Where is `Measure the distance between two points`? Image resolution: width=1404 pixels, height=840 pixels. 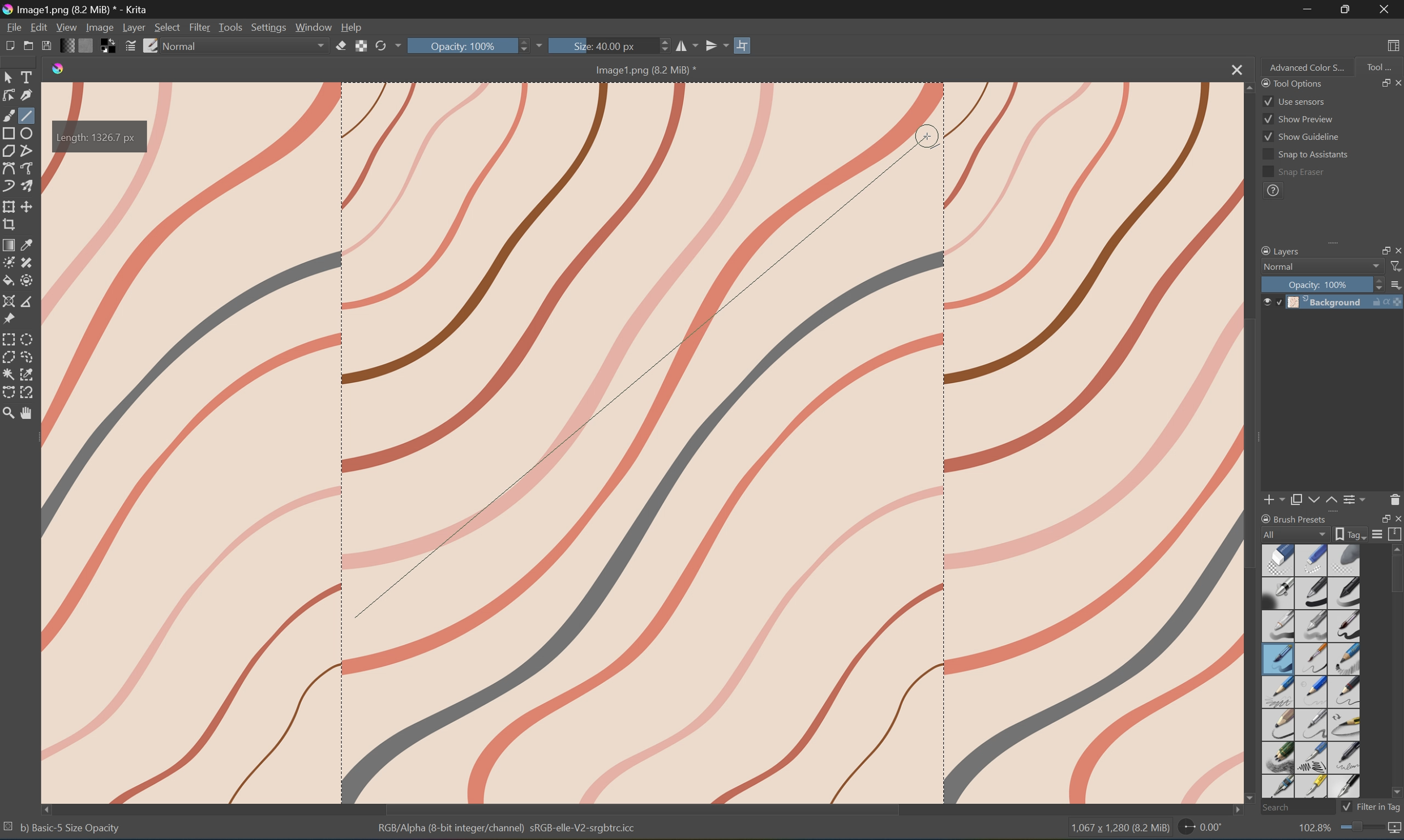
Measure the distance between two points is located at coordinates (27, 302).